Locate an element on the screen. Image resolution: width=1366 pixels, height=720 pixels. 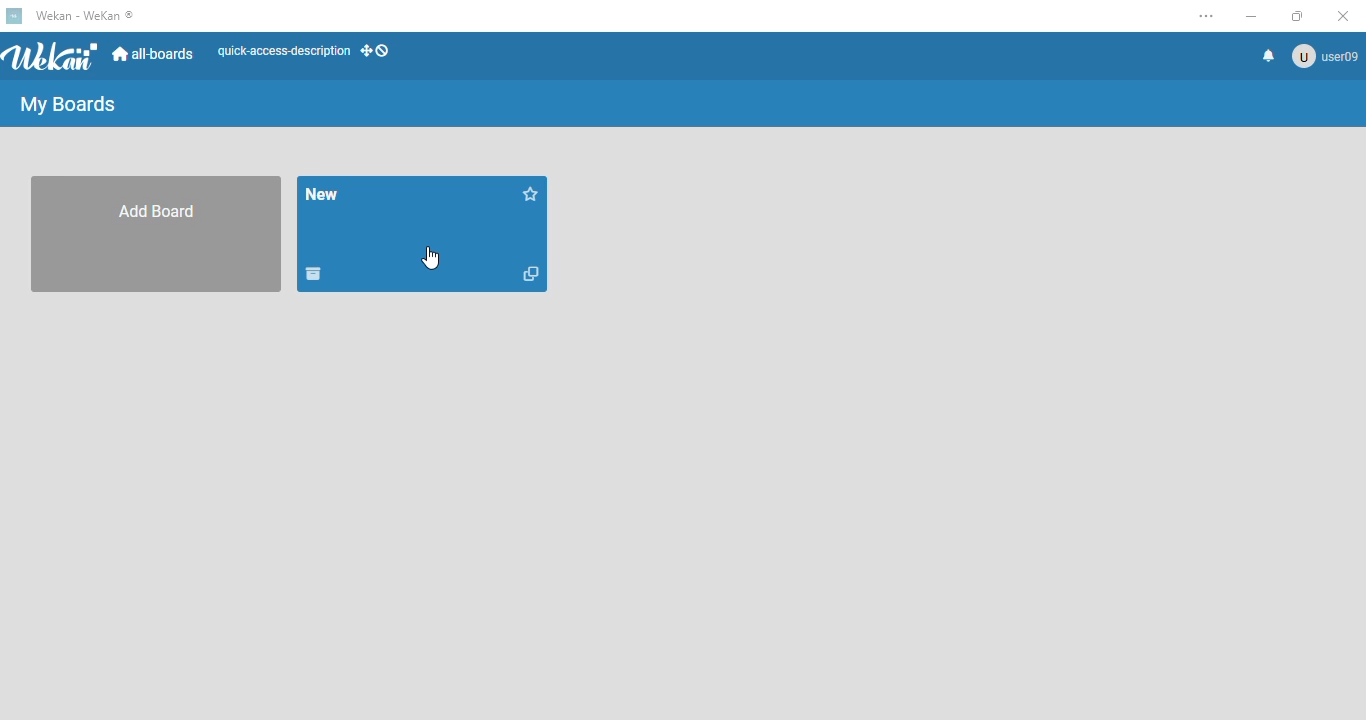
cursor is located at coordinates (431, 258).